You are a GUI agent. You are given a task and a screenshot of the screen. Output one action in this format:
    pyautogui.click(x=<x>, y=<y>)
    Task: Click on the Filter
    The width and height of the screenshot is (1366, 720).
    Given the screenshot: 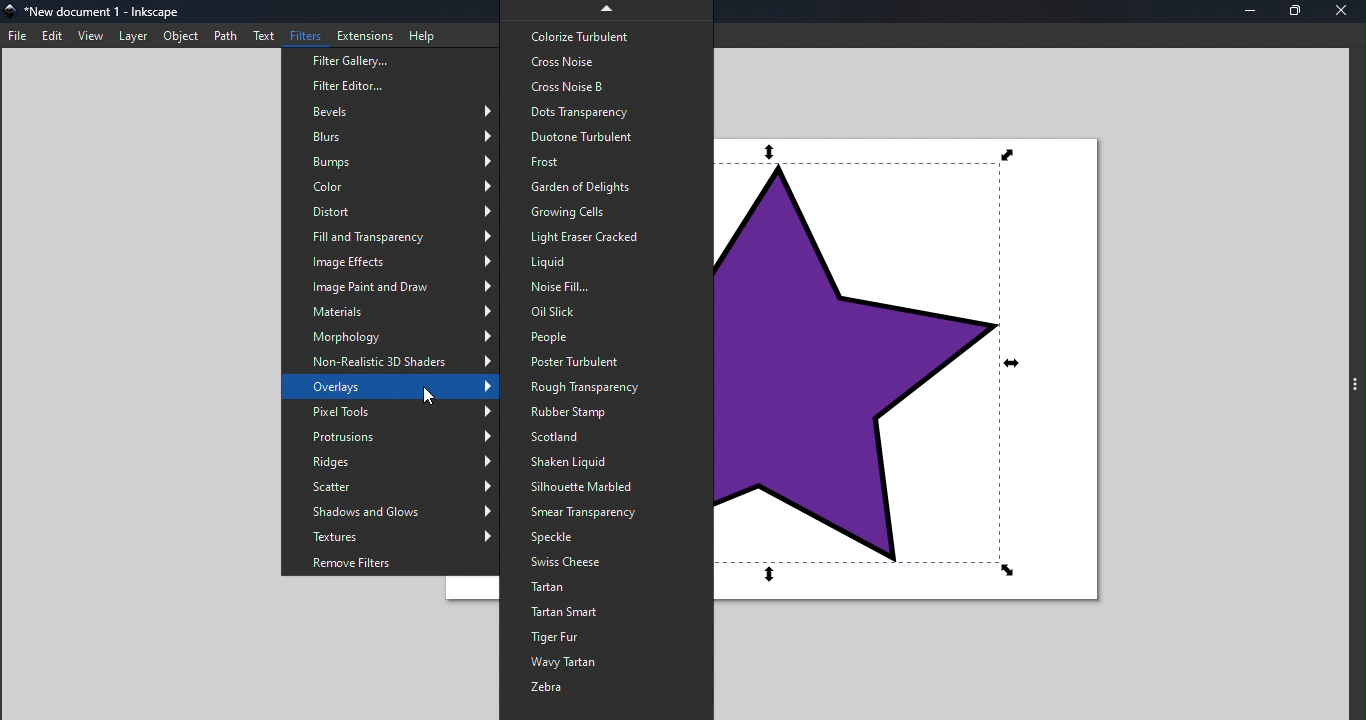 What is the action you would take?
    pyautogui.click(x=303, y=36)
    